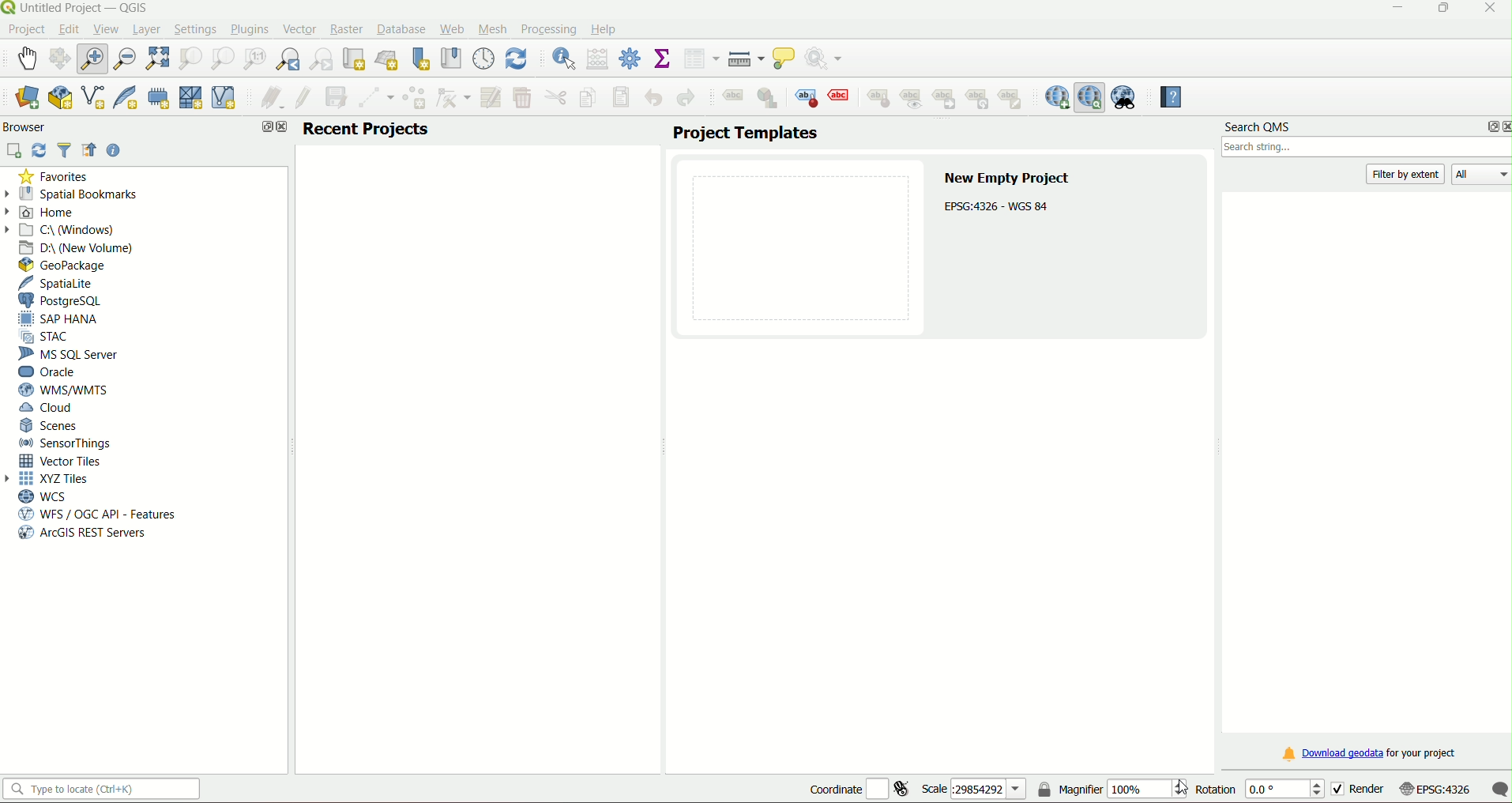 The height and width of the screenshot is (803, 1512). I want to click on highlight pinned, so click(807, 97).